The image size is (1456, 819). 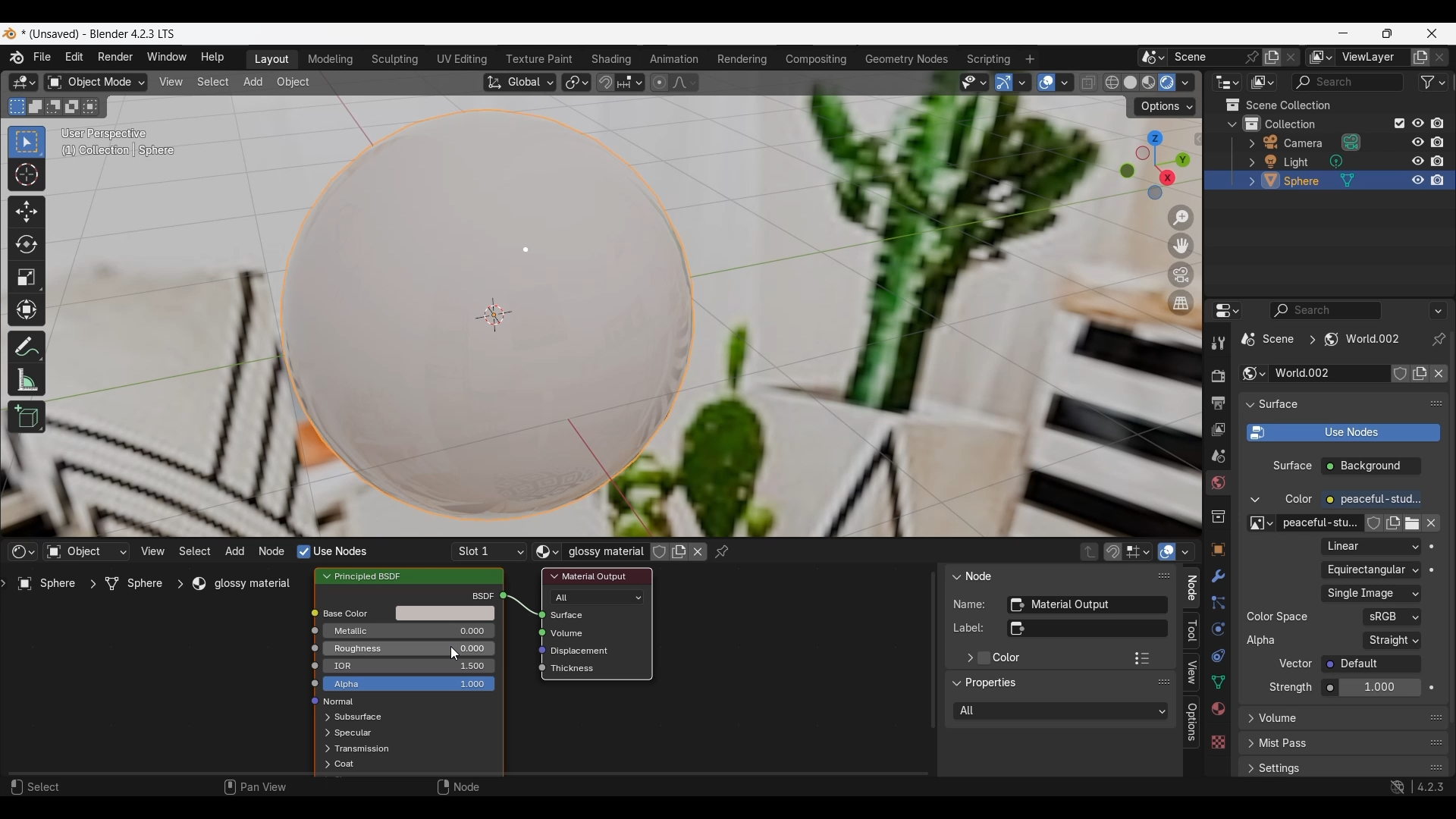 What do you see at coordinates (322, 734) in the screenshot?
I see `expand respective scenes` at bounding box center [322, 734].